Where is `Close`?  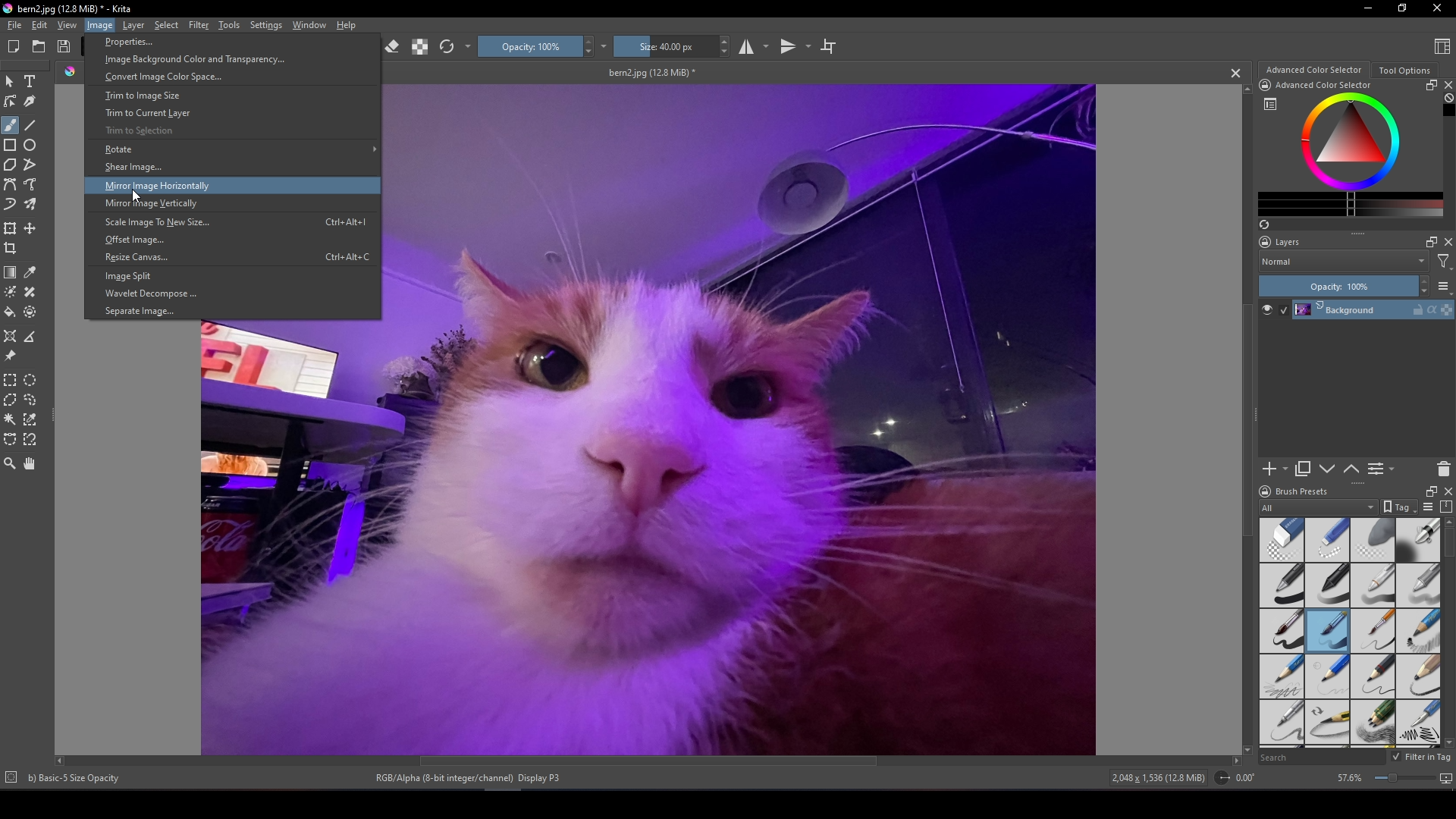
Close is located at coordinates (1438, 8).